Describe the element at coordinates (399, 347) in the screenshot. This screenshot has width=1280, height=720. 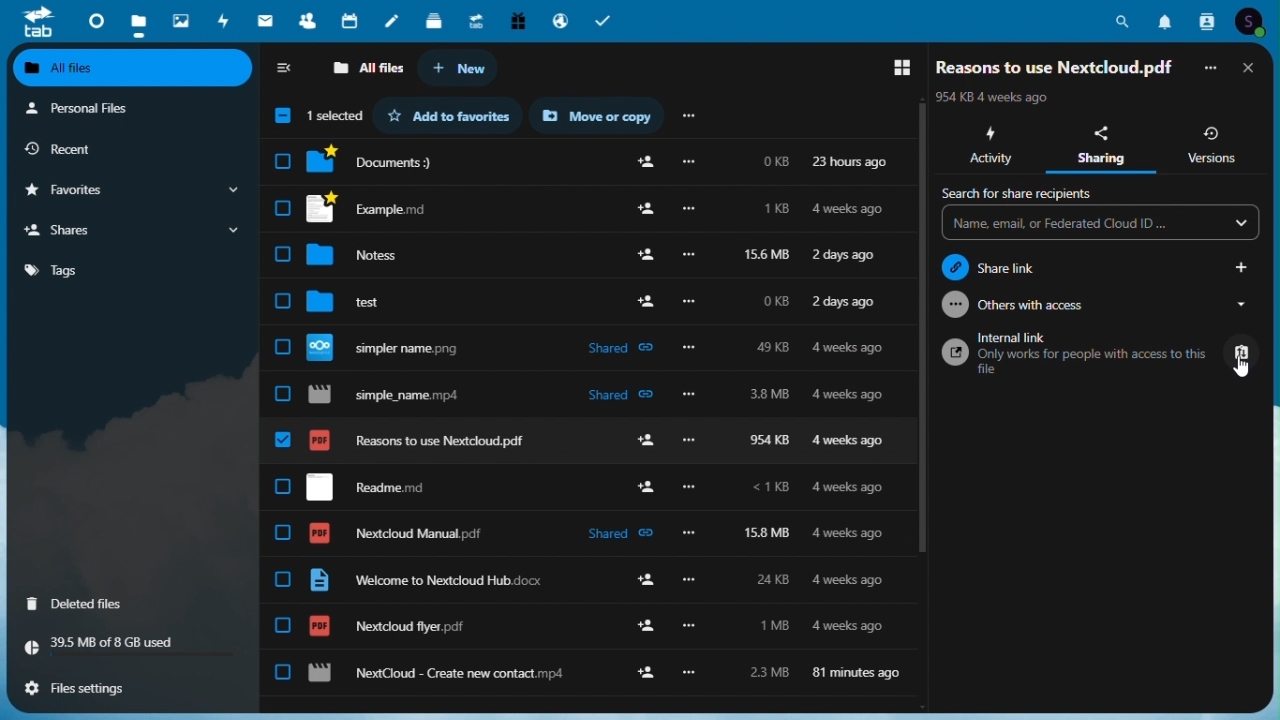
I see `simpler name.png` at that location.